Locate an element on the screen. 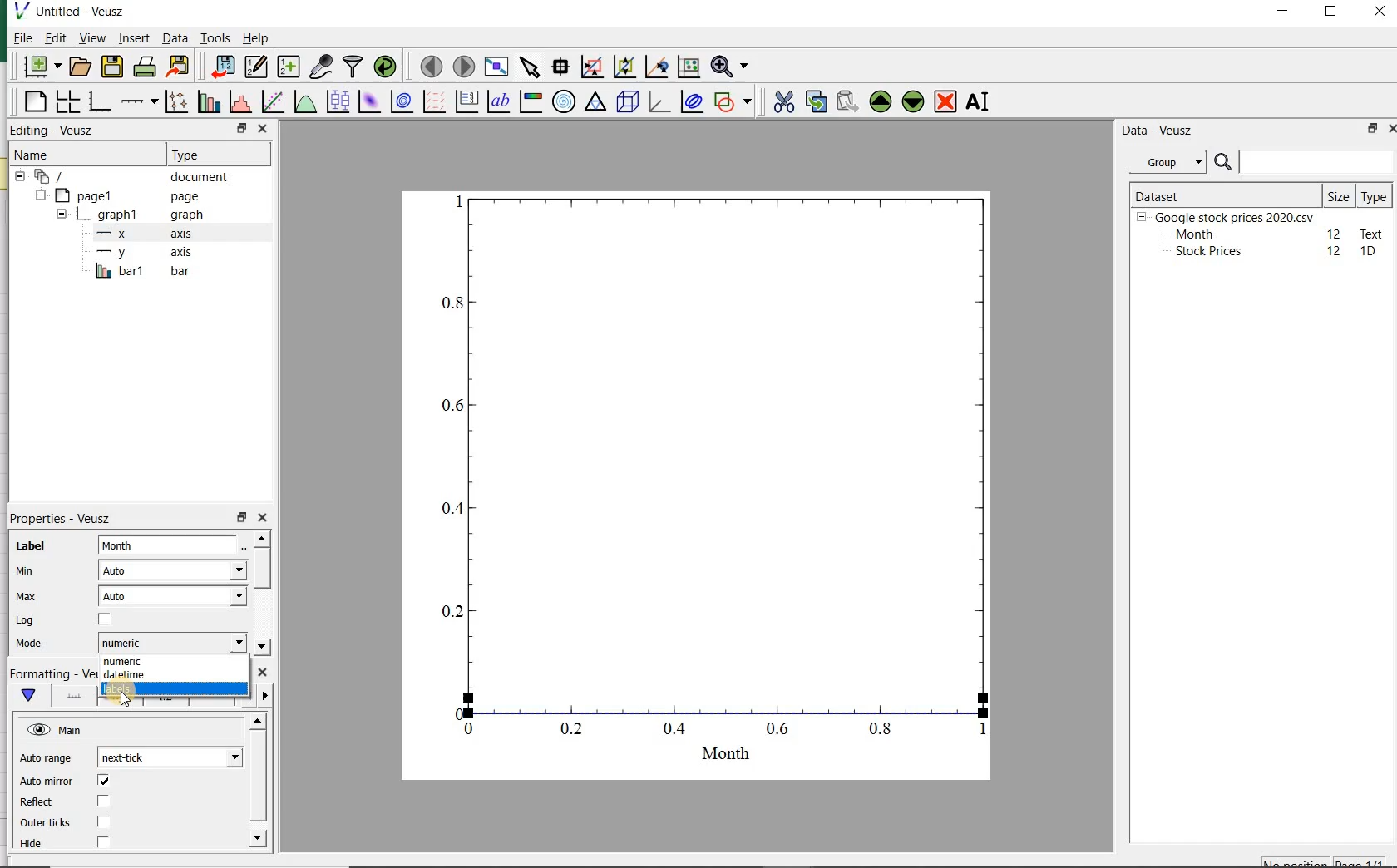 The image size is (1397, 868). bar1 is located at coordinates (138, 272).